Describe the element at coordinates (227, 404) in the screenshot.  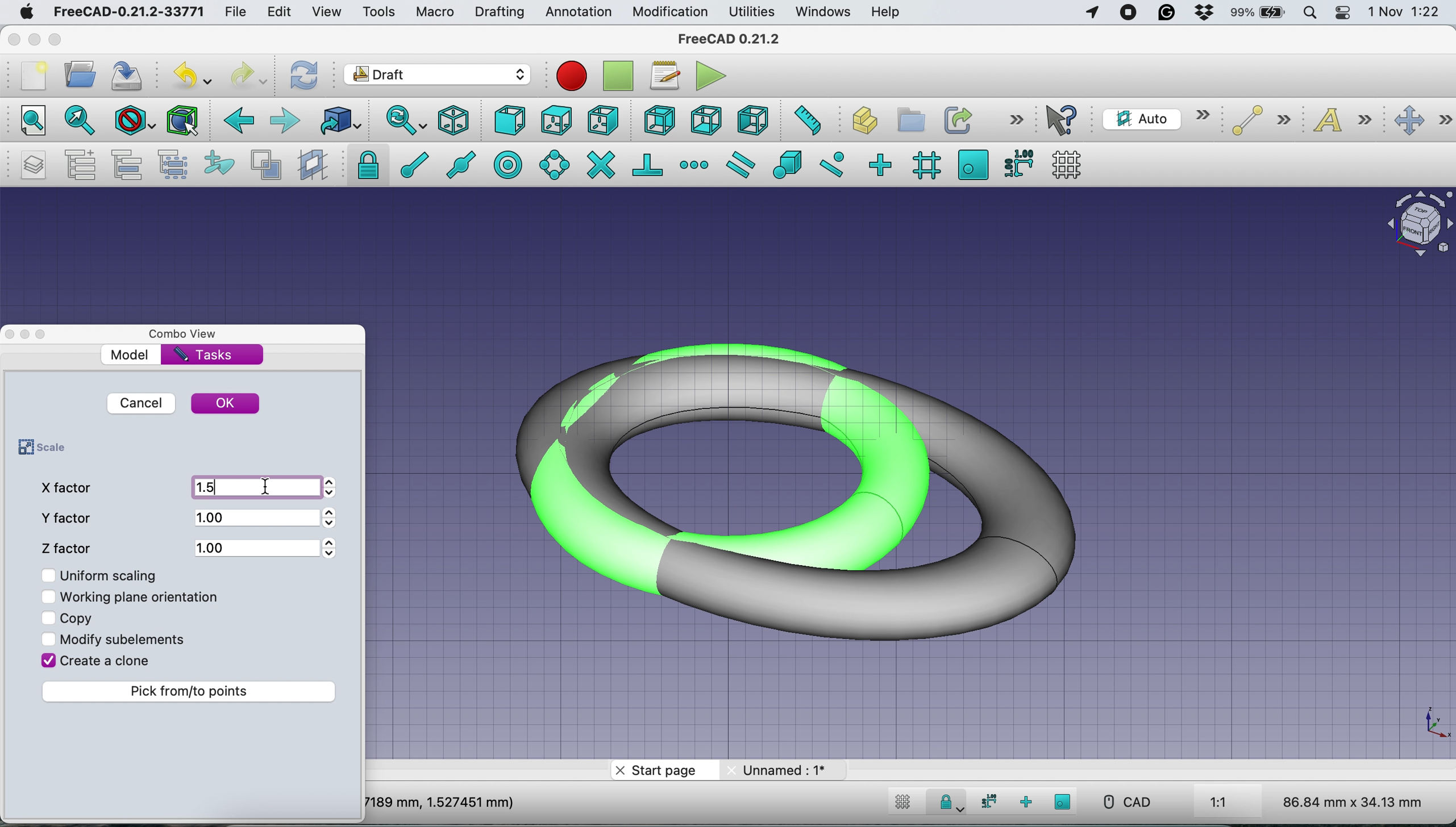
I see `ok` at that location.